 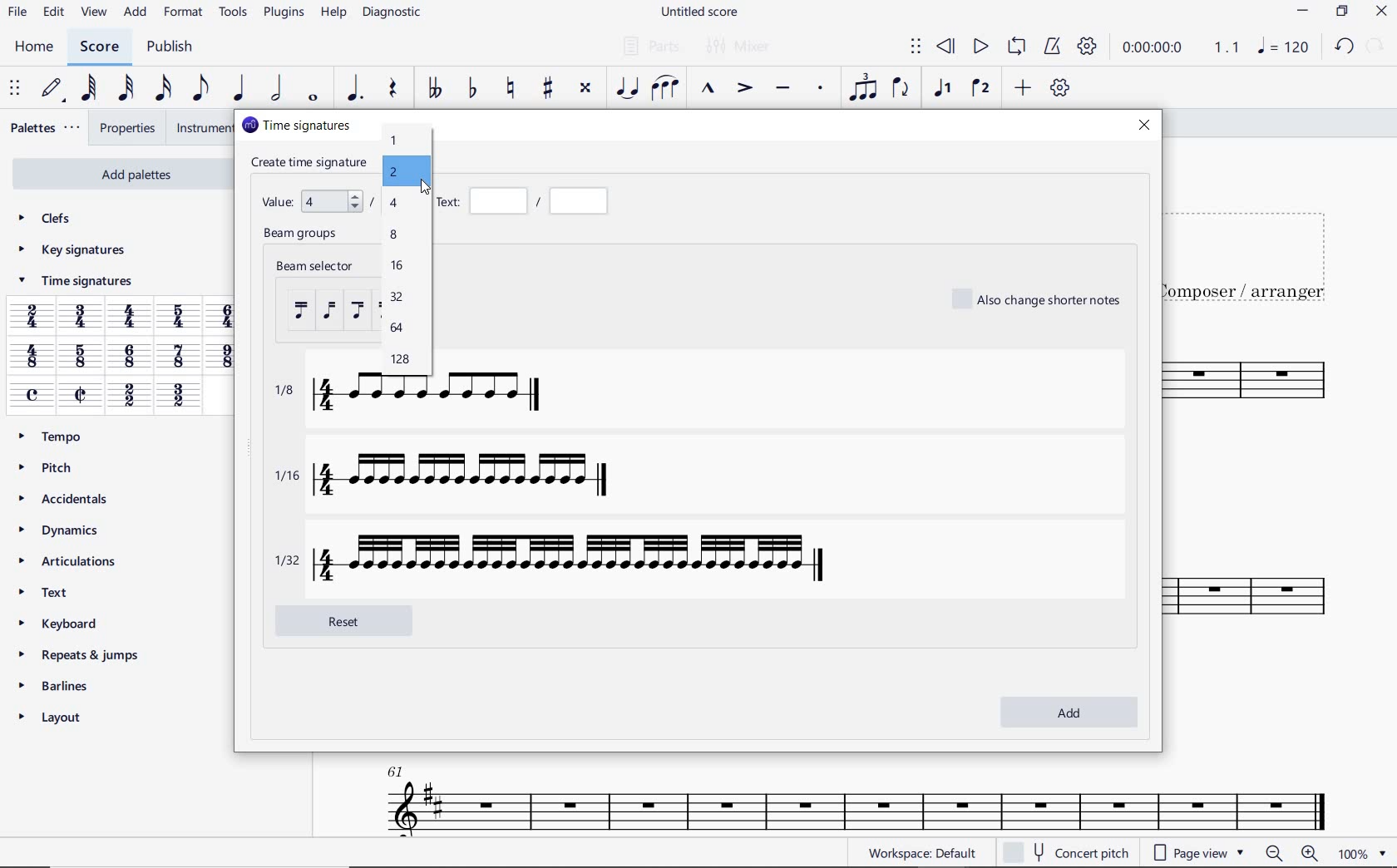 I want to click on 4/8, so click(x=32, y=358).